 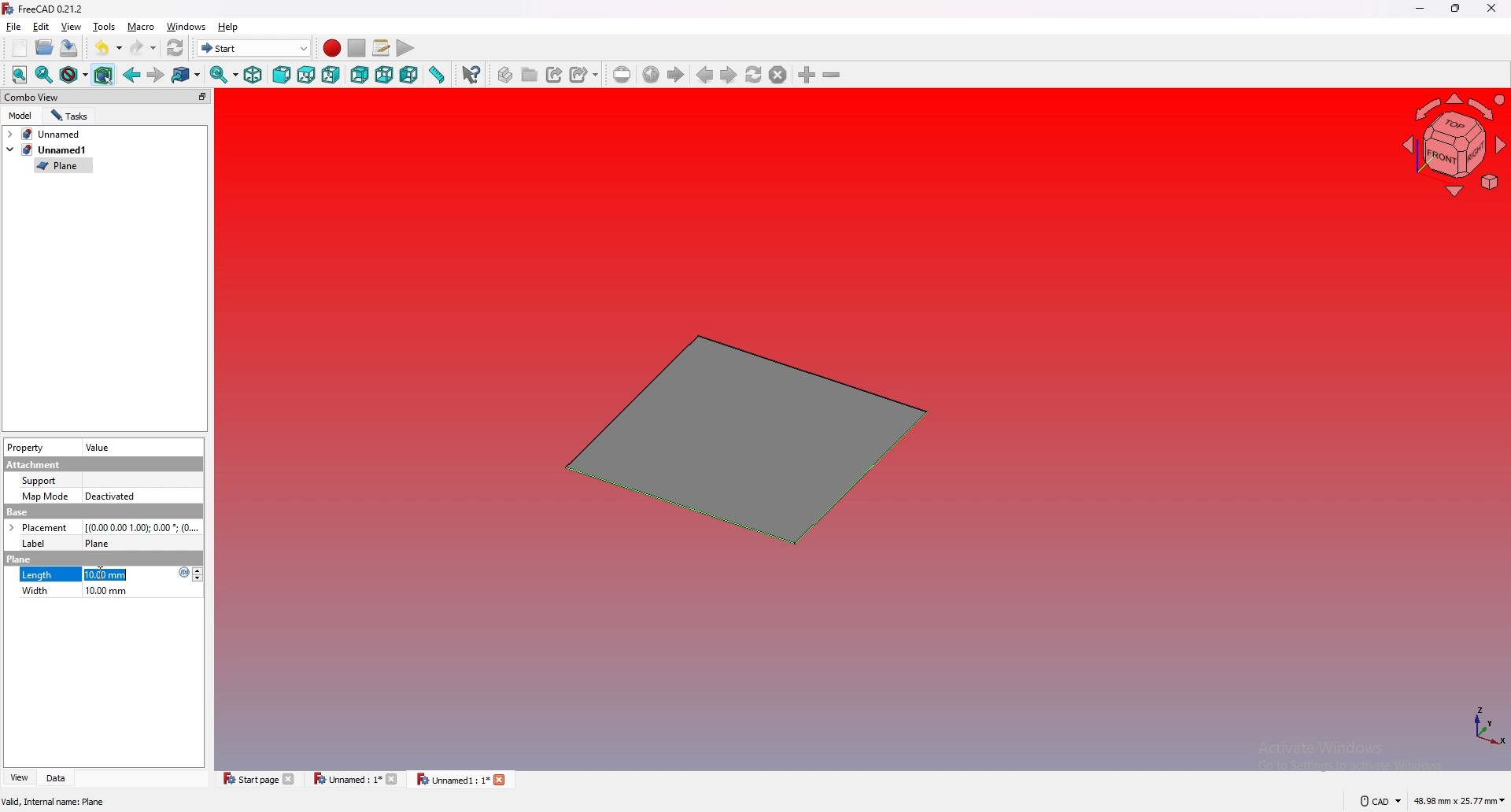 I want to click on bottom, so click(x=384, y=76).